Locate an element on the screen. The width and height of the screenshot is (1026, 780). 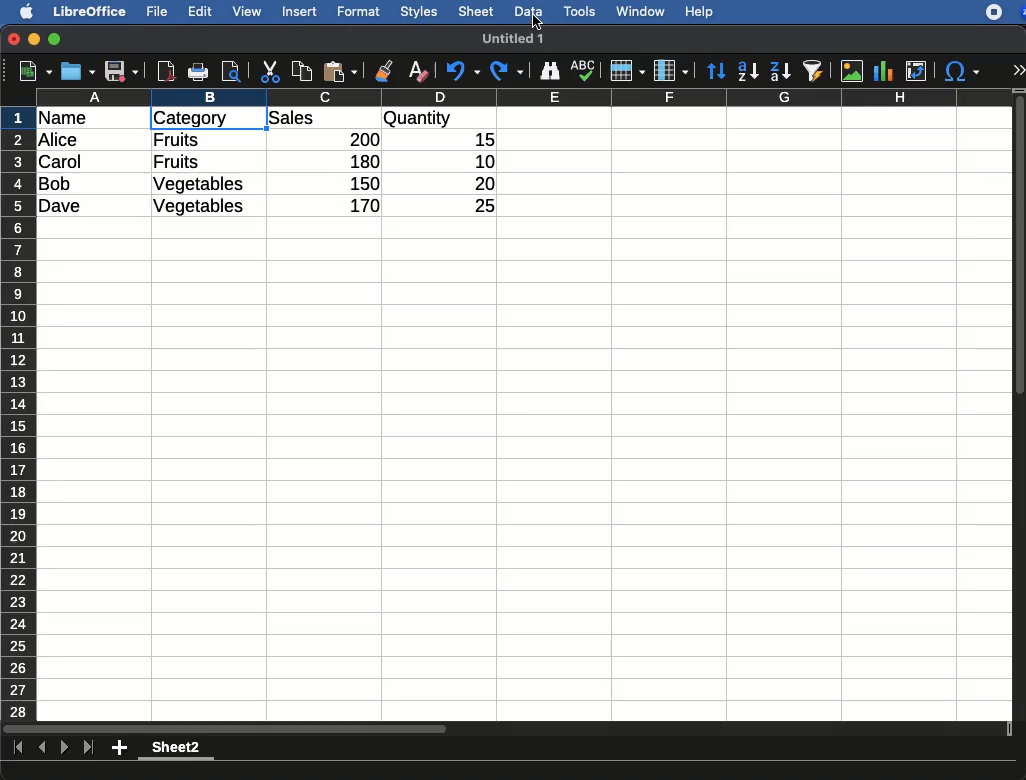
25 is located at coordinates (477, 204).